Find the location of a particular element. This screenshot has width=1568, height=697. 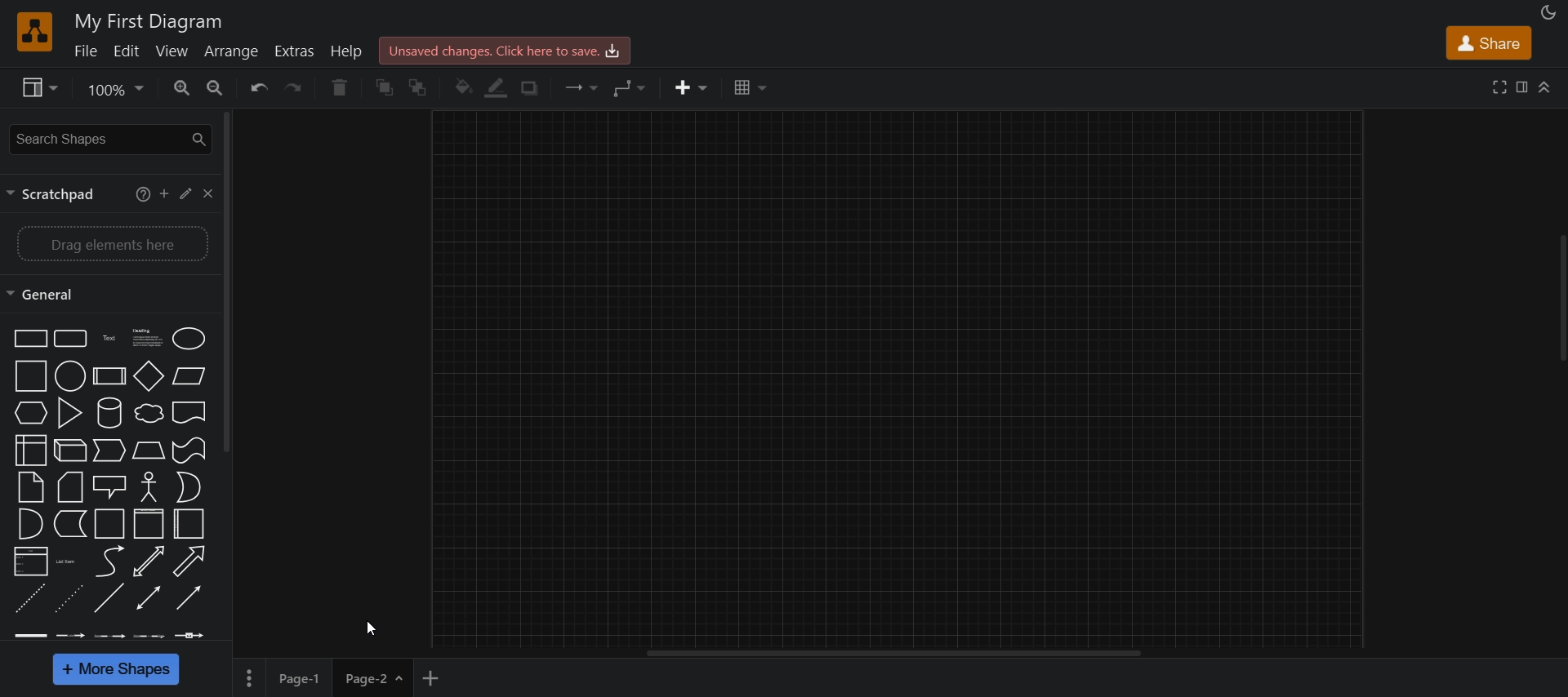

view is located at coordinates (38, 87).